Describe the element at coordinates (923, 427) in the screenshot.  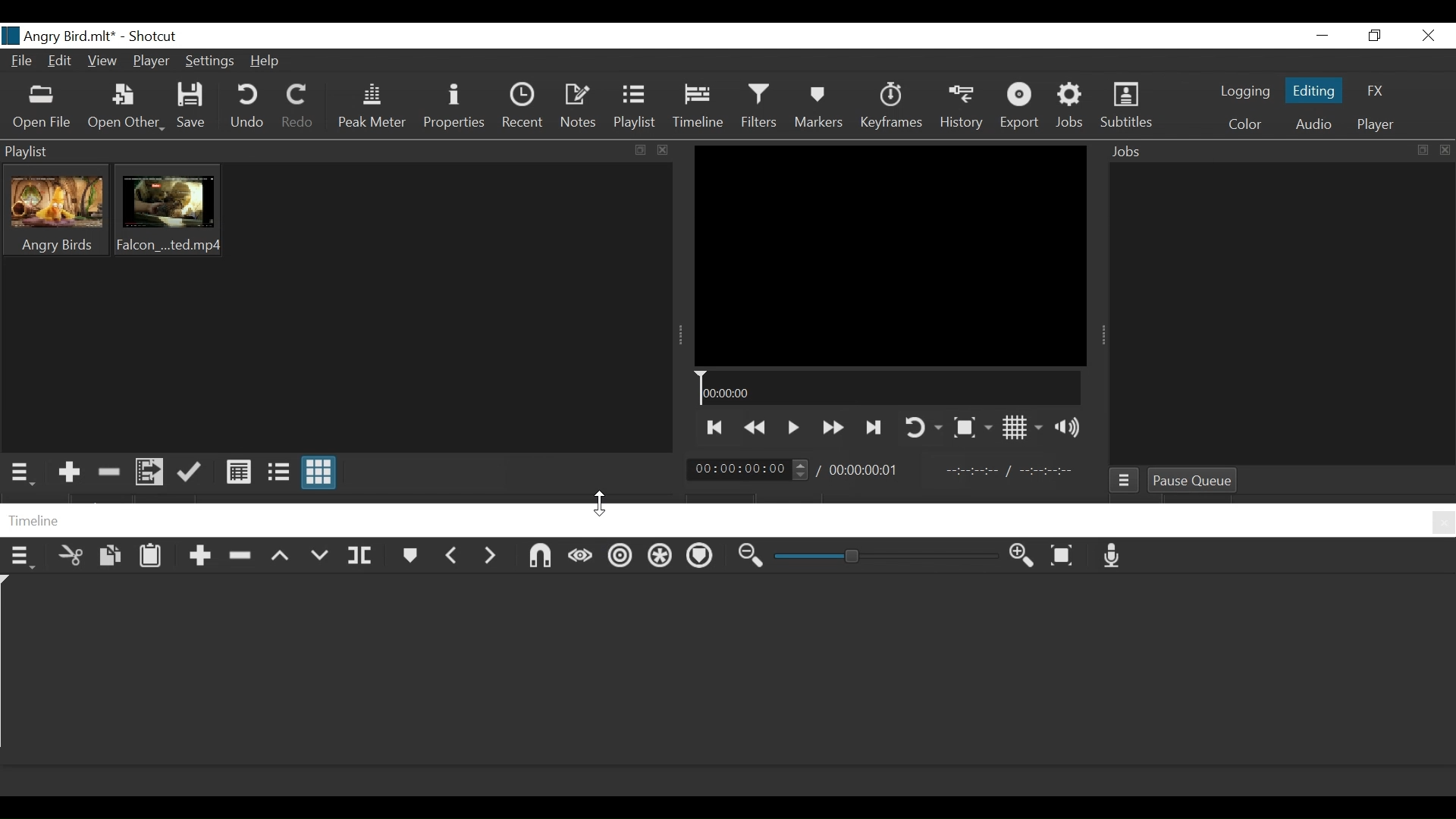
I see `Toggle player on looping` at that location.